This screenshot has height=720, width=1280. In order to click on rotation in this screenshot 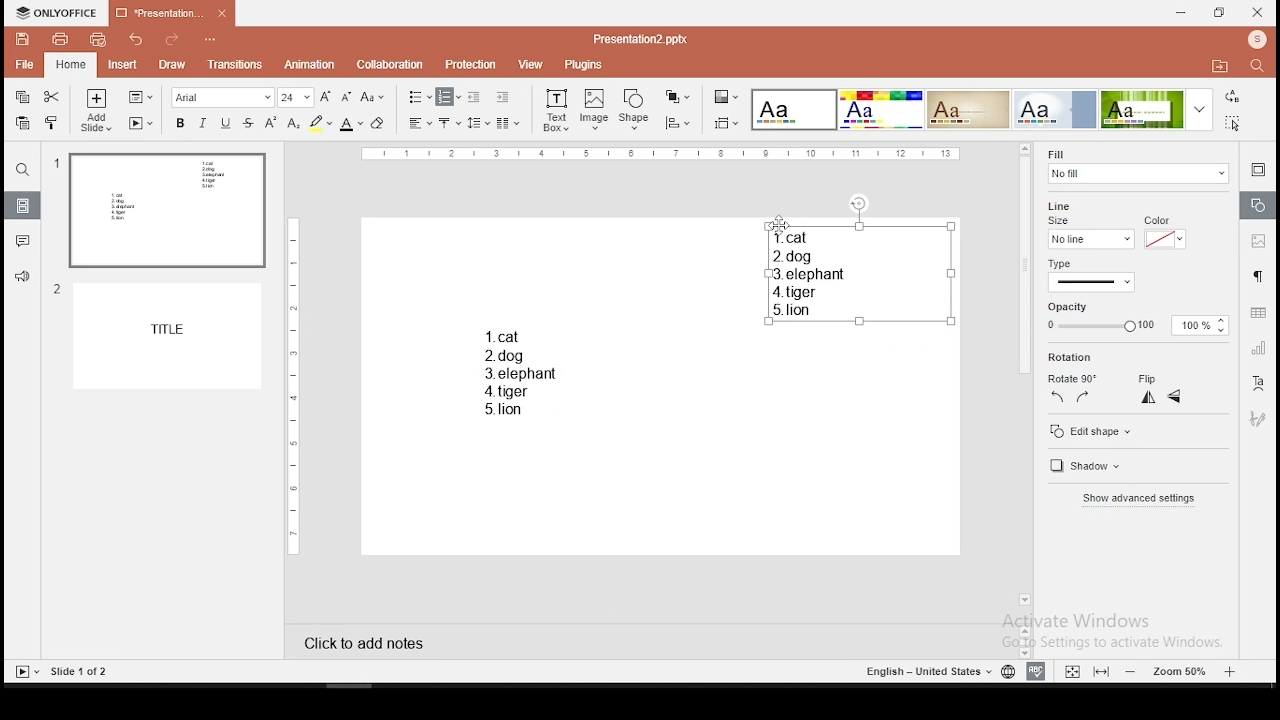, I will do `click(1072, 357)`.